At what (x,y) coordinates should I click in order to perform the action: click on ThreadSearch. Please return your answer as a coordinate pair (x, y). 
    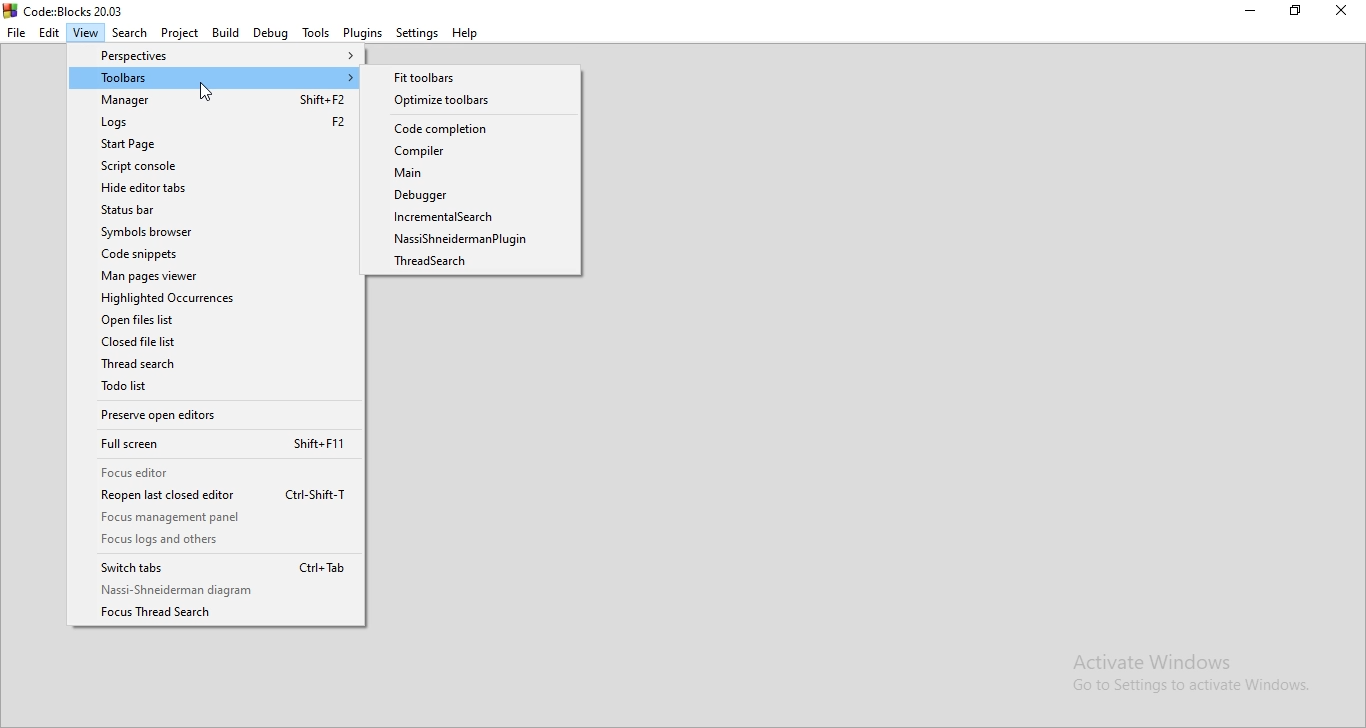
    Looking at the image, I should click on (218, 367).